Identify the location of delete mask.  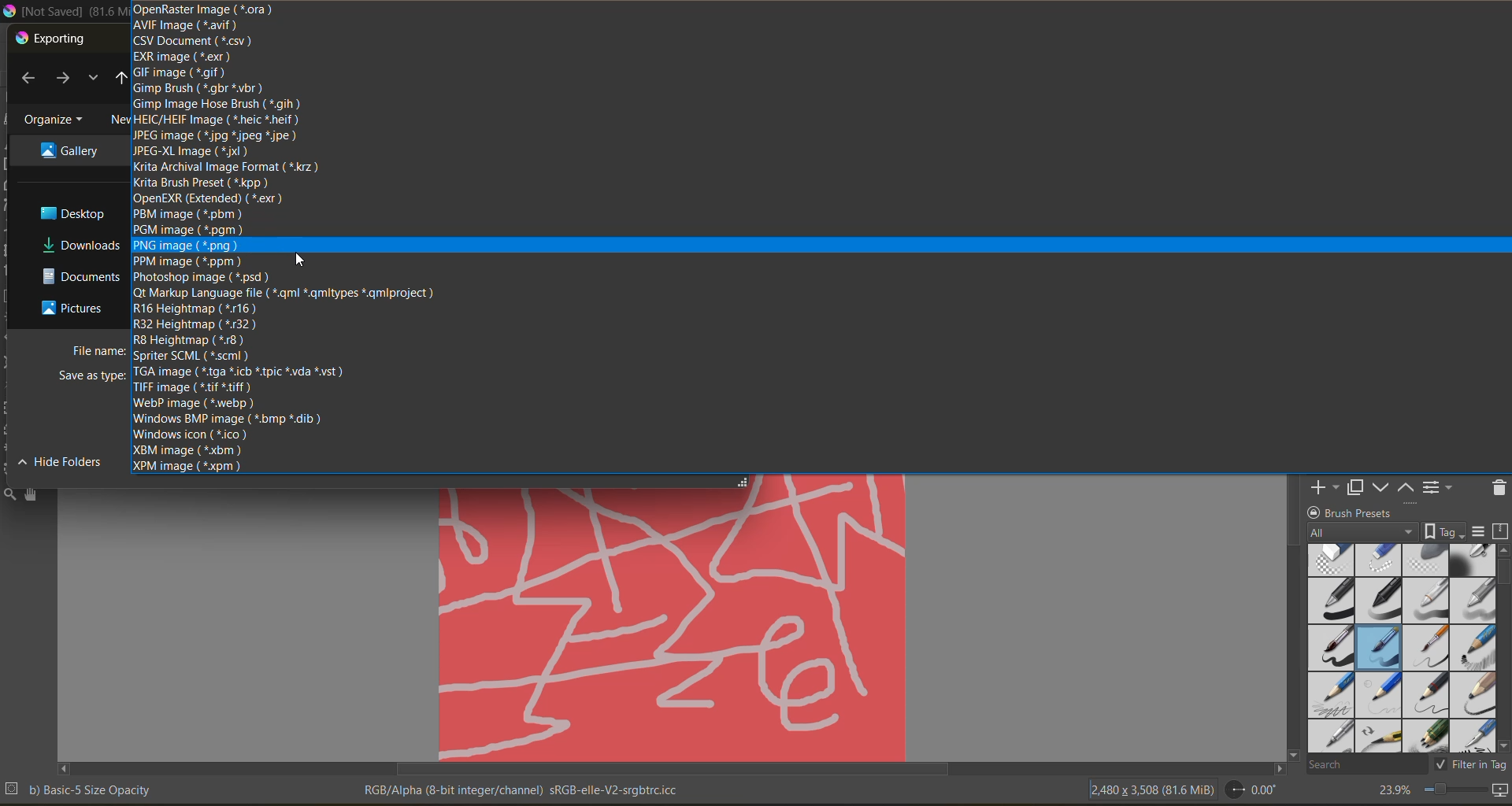
(1499, 490).